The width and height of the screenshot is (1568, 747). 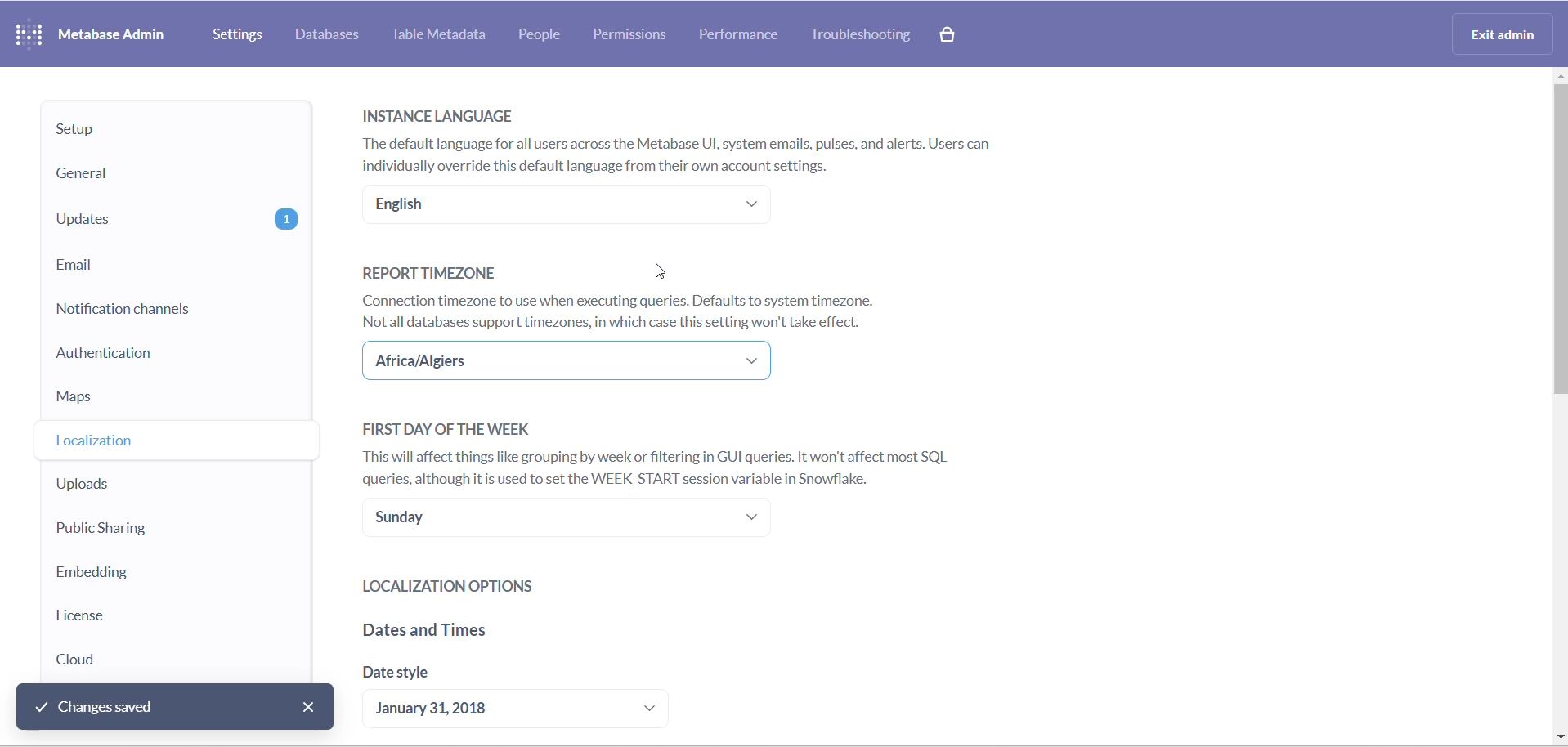 I want to click on move up button, so click(x=1558, y=79).